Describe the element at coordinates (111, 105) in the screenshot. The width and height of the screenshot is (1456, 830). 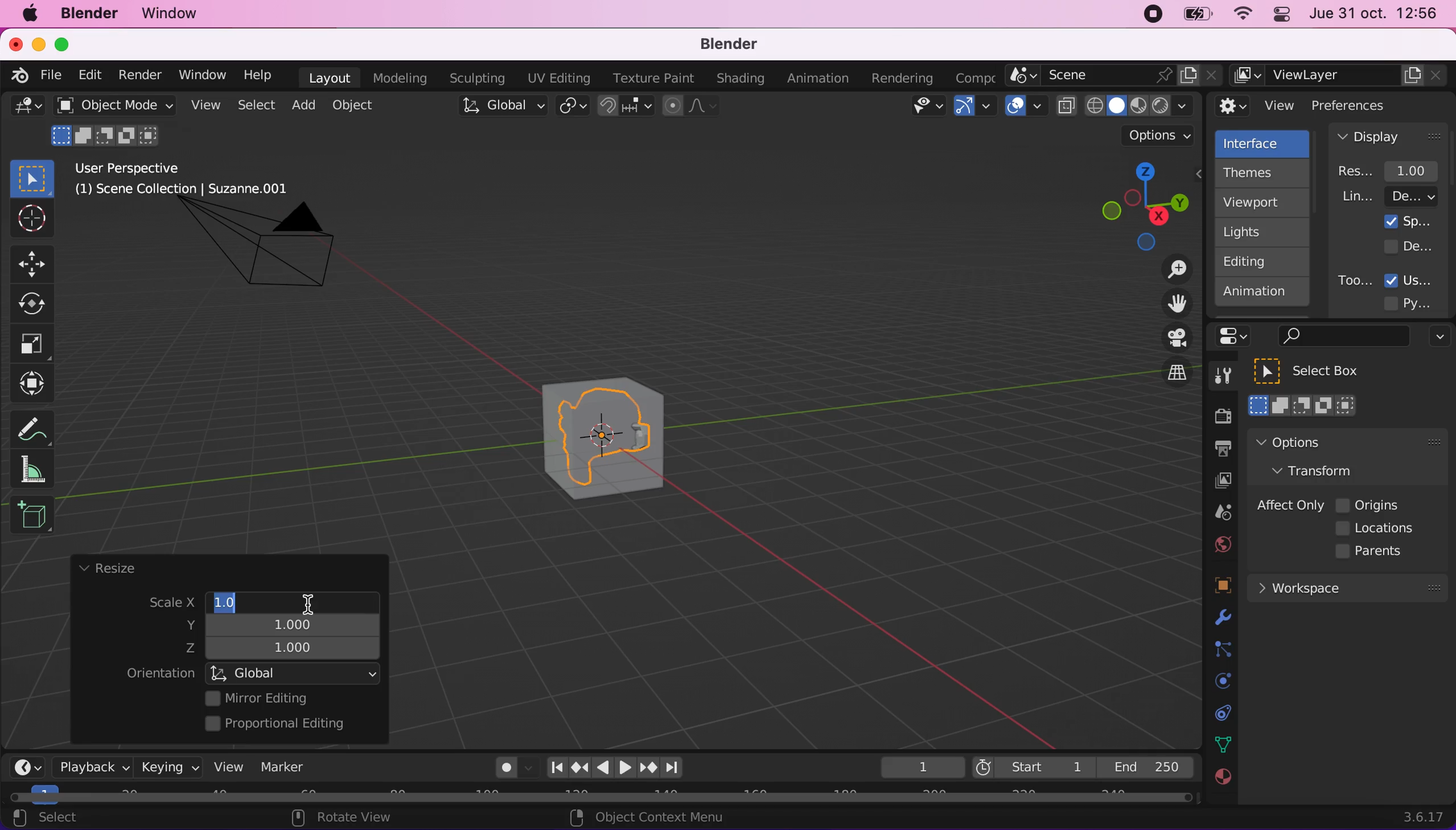
I see `object mode` at that location.